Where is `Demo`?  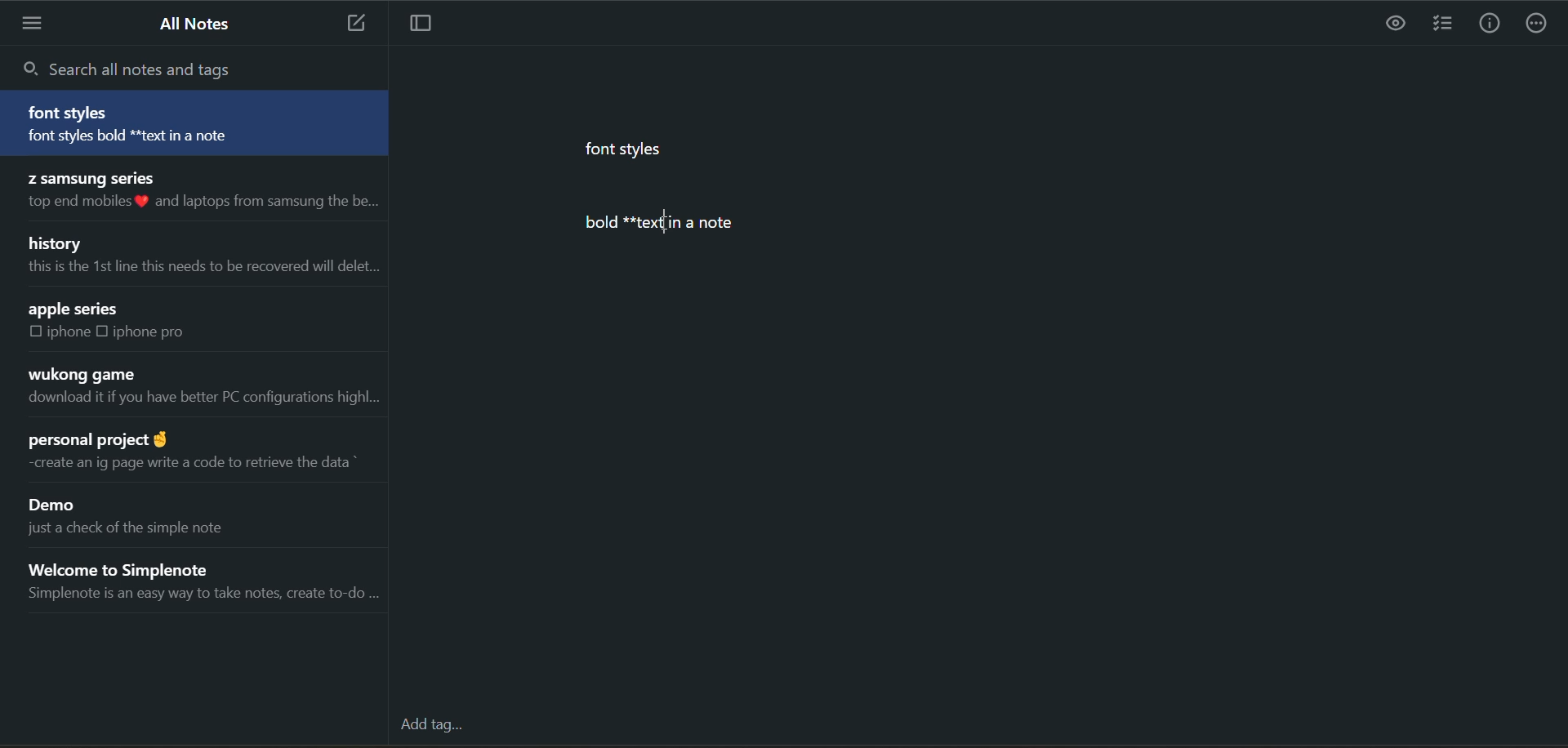 Demo is located at coordinates (58, 506).